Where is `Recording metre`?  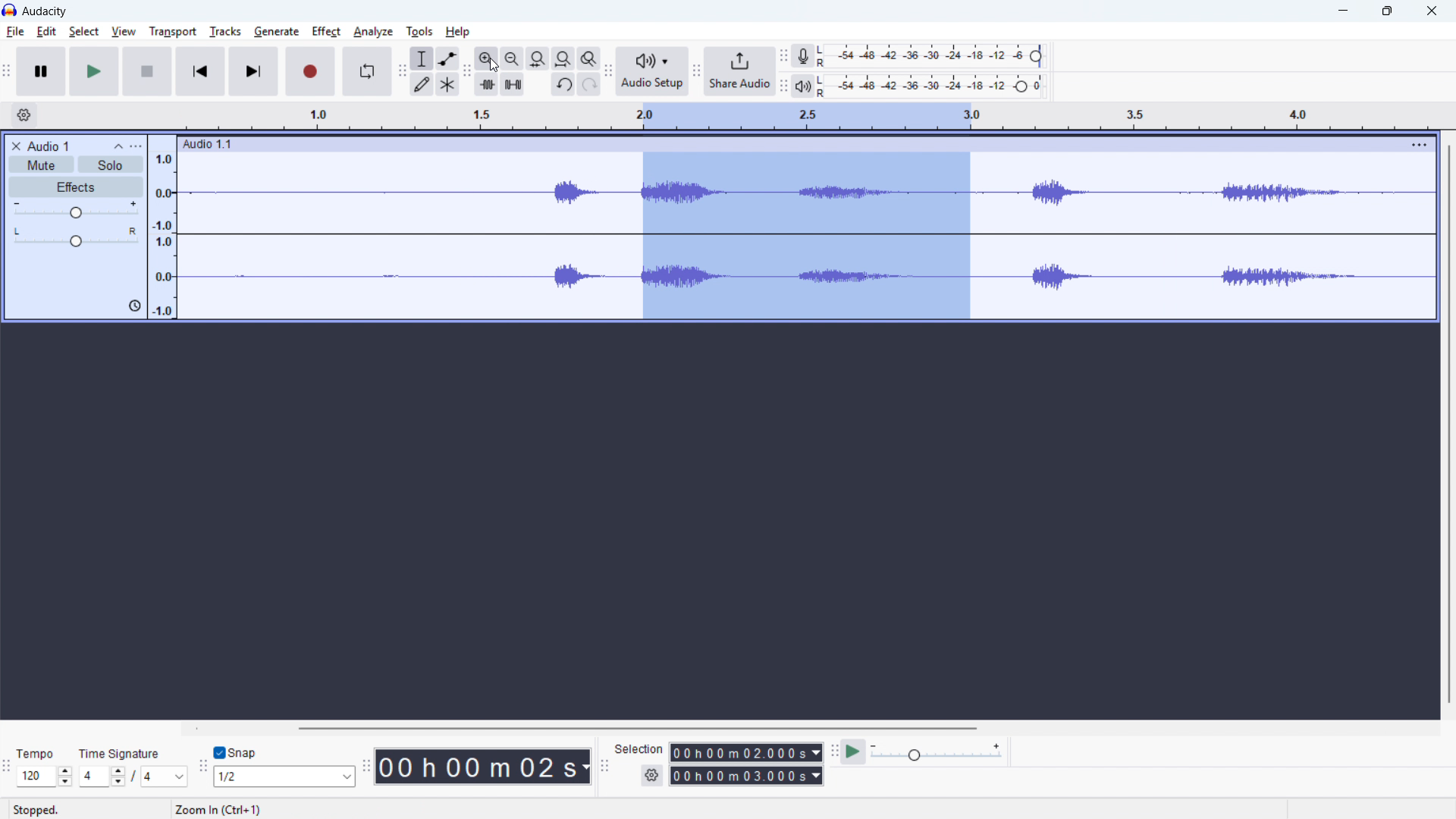
Recording metre is located at coordinates (802, 57).